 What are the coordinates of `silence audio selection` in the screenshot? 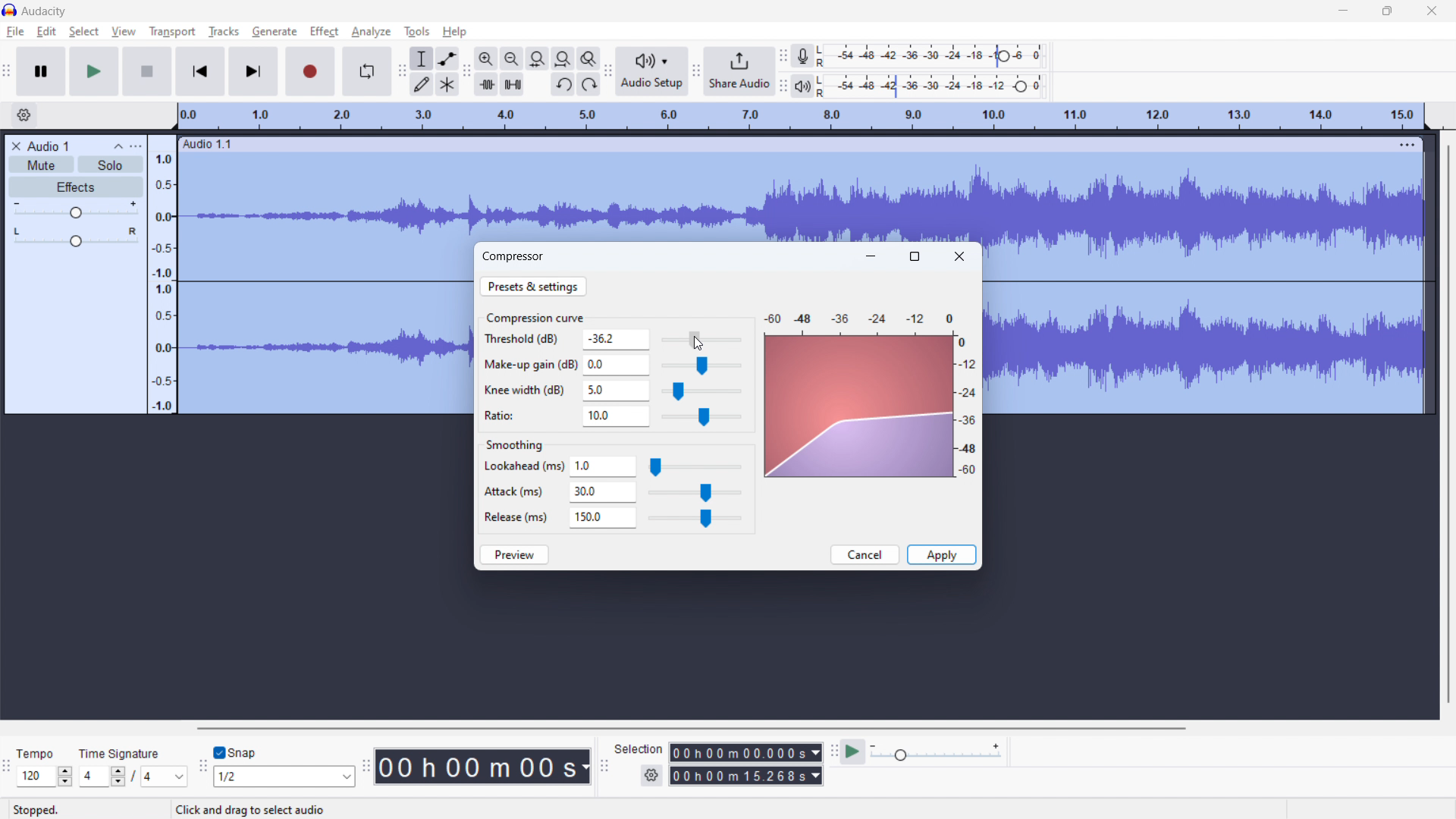 It's located at (512, 84).